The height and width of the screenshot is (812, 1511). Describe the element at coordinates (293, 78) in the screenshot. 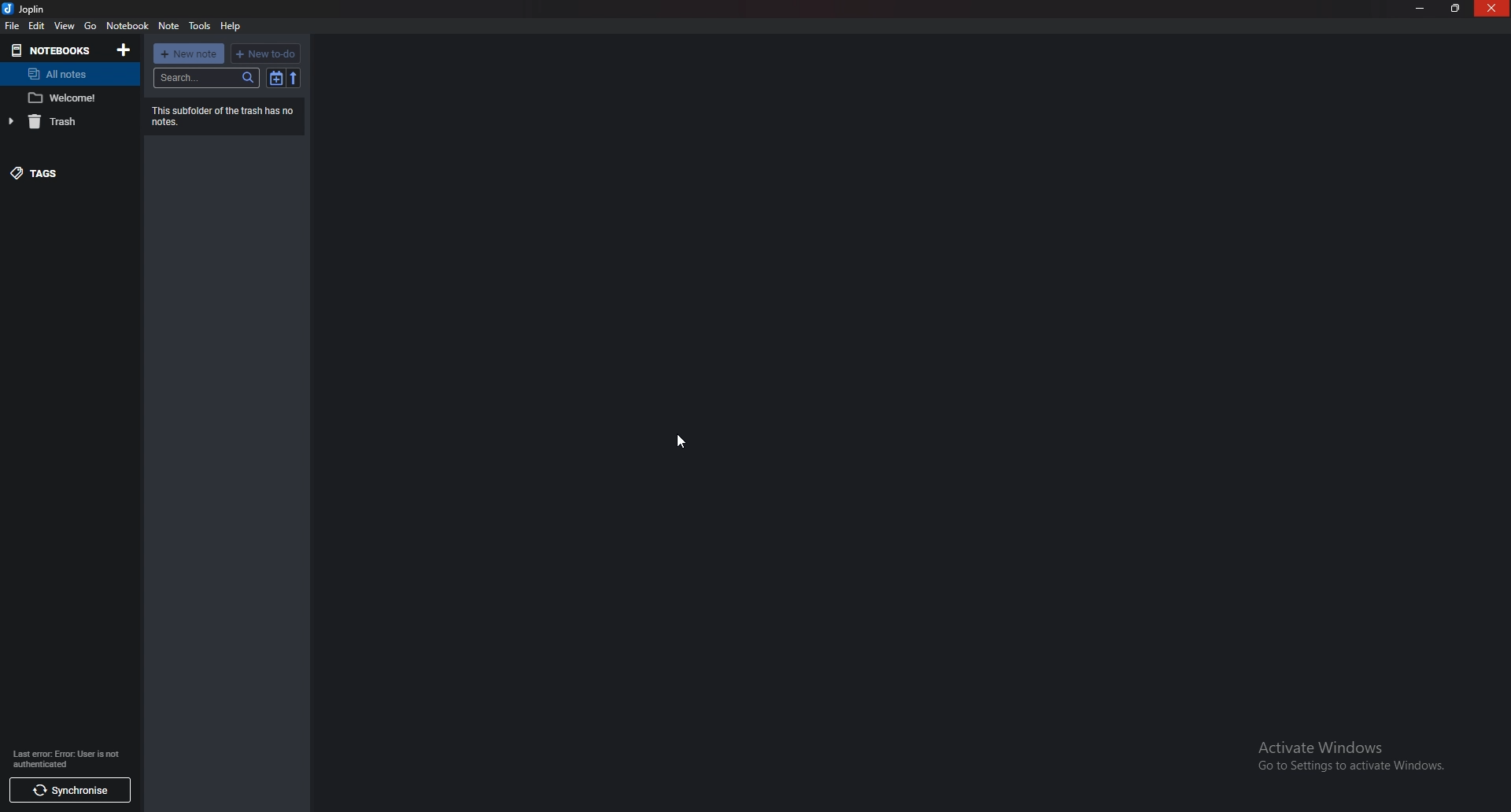

I see `reverse sort order` at that location.